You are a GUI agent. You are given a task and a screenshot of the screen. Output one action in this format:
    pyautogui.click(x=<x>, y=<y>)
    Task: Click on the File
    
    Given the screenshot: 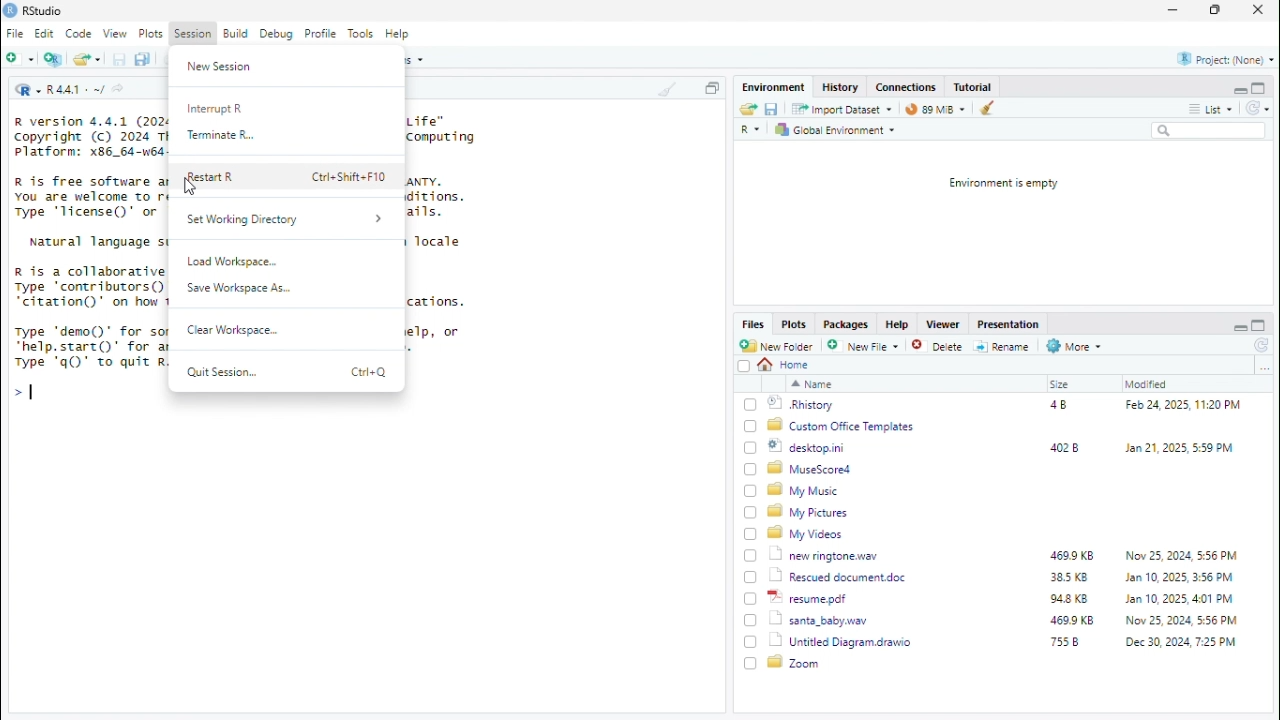 What is the action you would take?
    pyautogui.click(x=17, y=33)
    